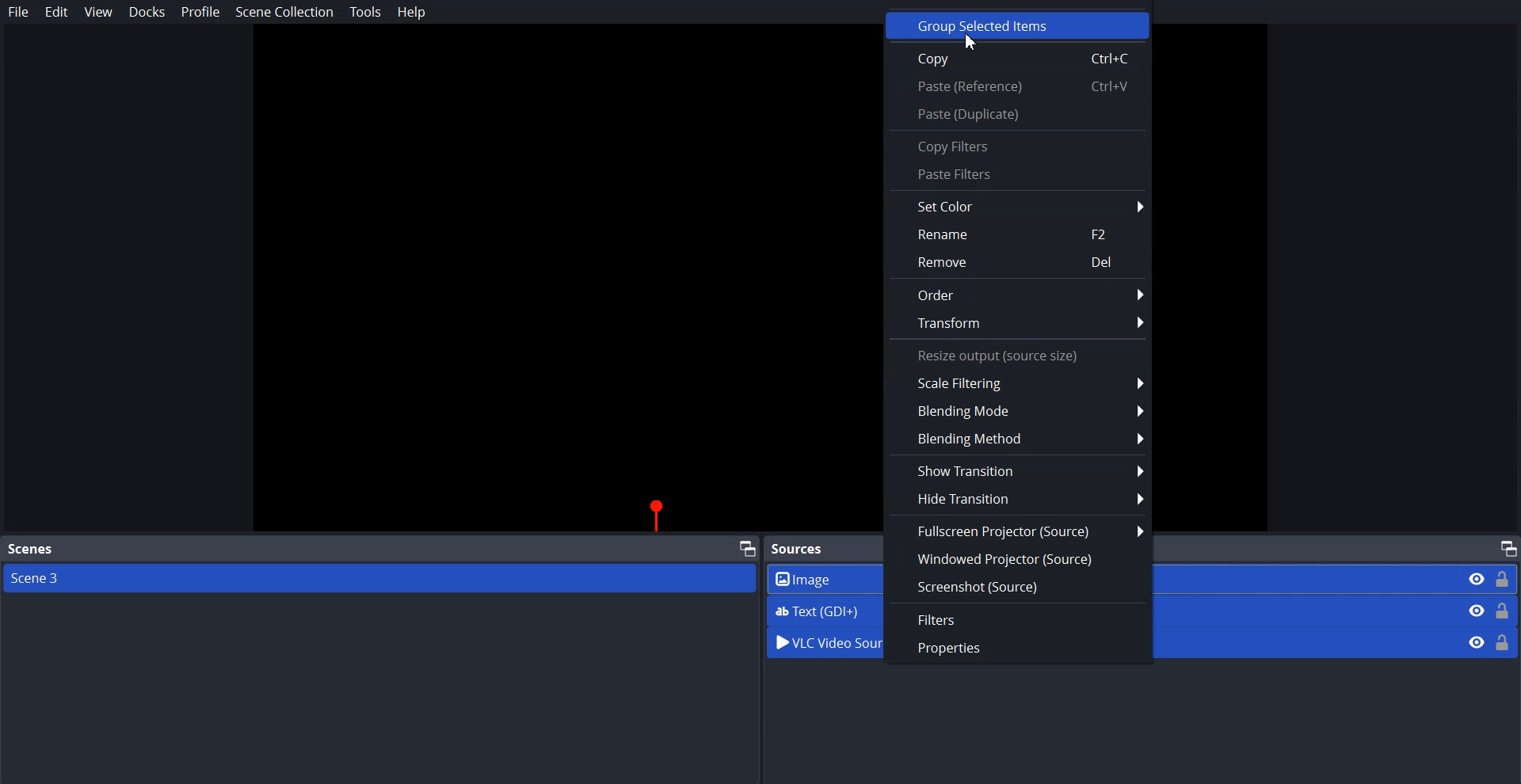 The width and height of the screenshot is (1521, 784). What do you see at coordinates (284, 14) in the screenshot?
I see `Scene Collection` at bounding box center [284, 14].